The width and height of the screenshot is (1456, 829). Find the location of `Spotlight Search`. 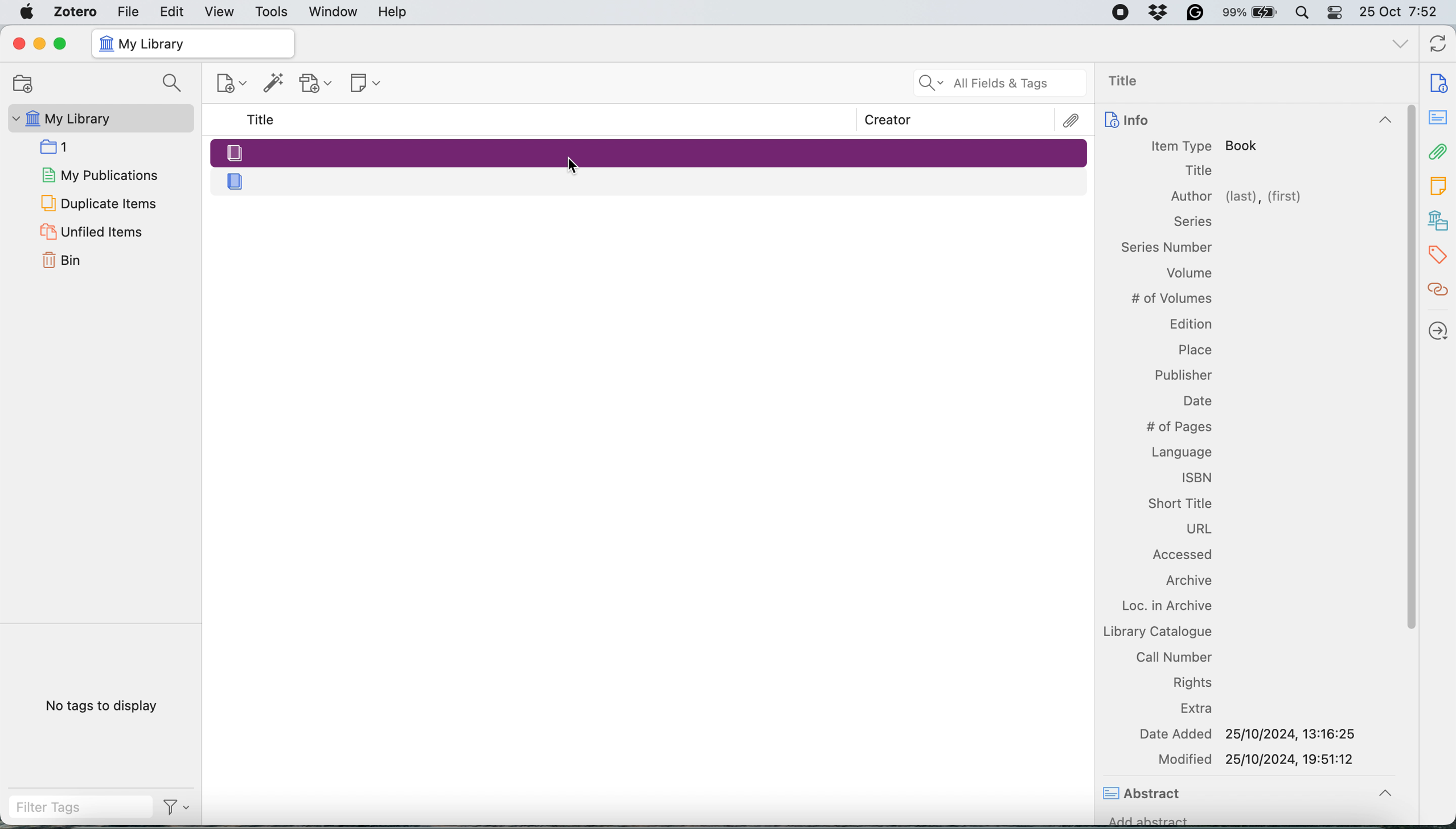

Spotlight Search is located at coordinates (1301, 13).